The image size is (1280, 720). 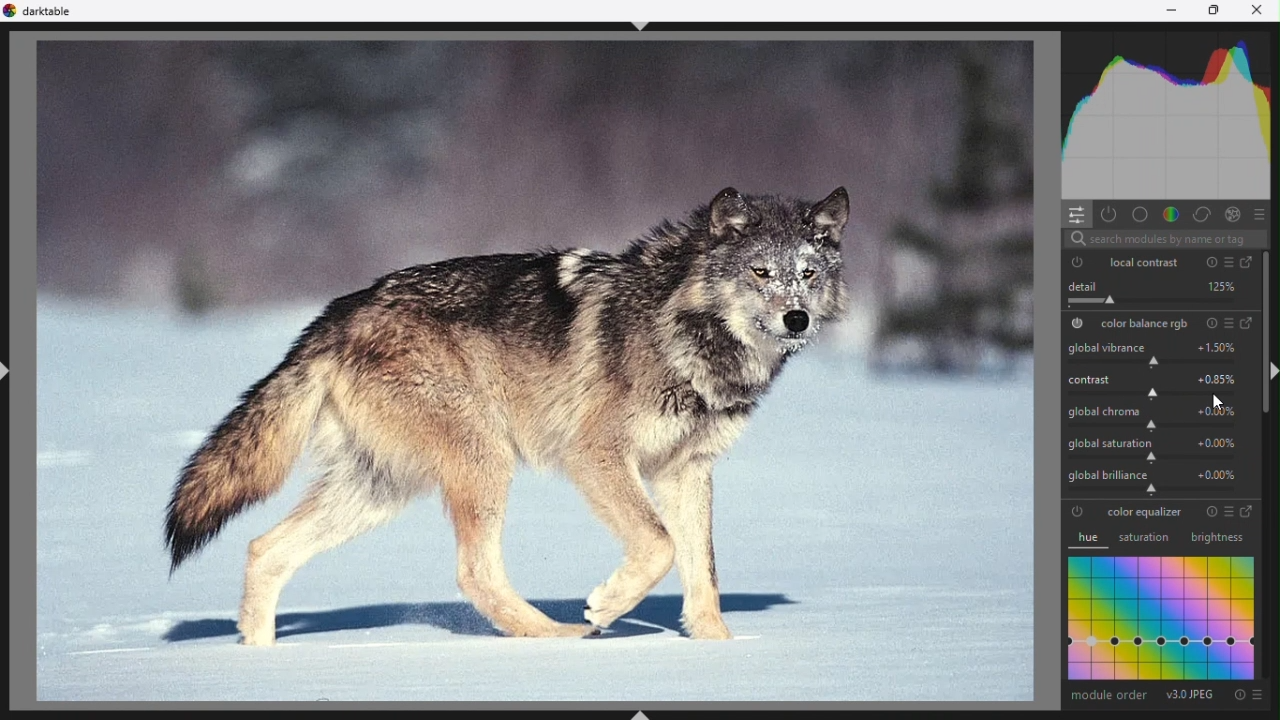 I want to click on search modules by name or tags, so click(x=1164, y=239).